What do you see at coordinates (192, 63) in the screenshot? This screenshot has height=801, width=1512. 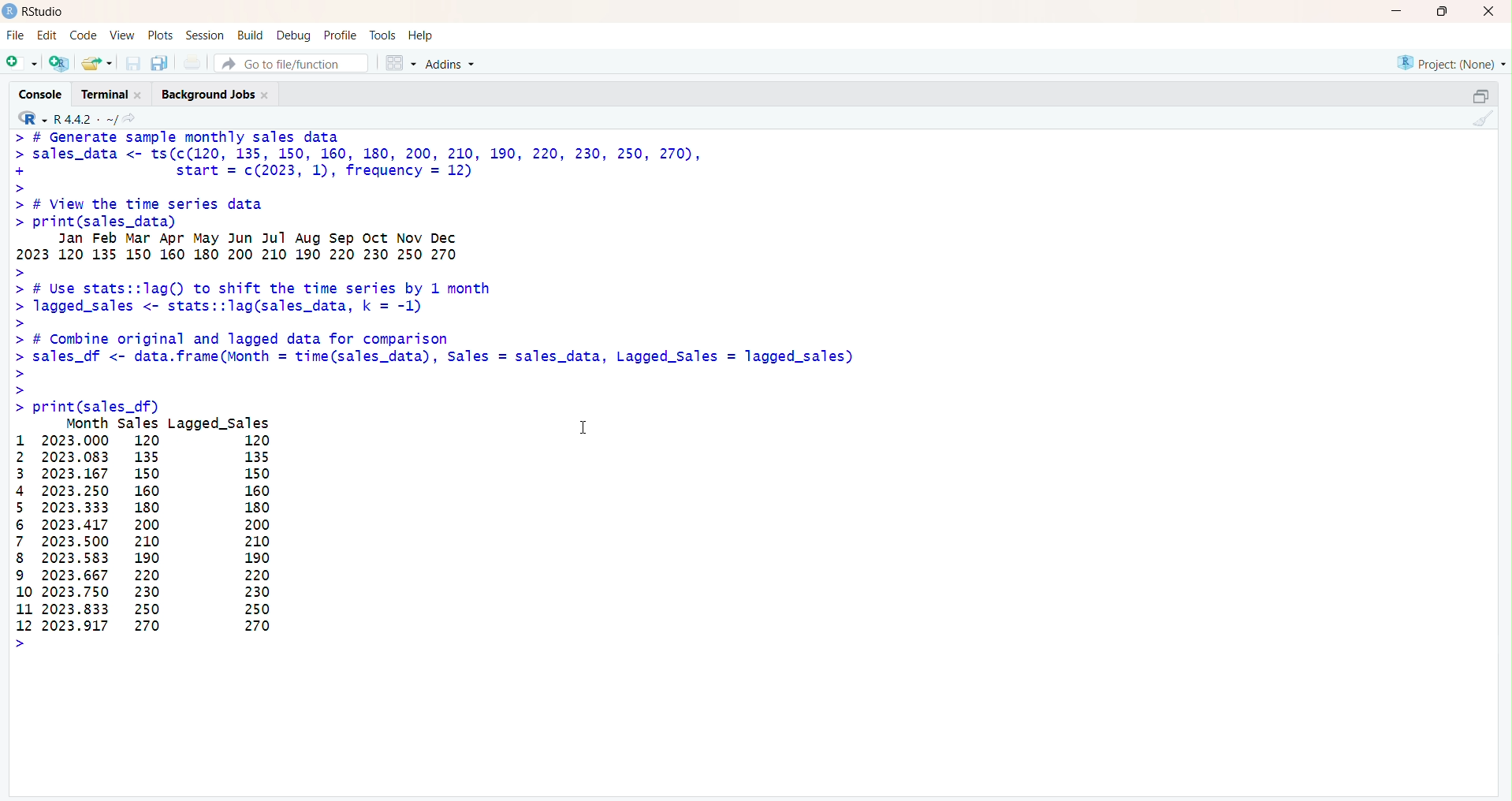 I see `print the current file` at bounding box center [192, 63].